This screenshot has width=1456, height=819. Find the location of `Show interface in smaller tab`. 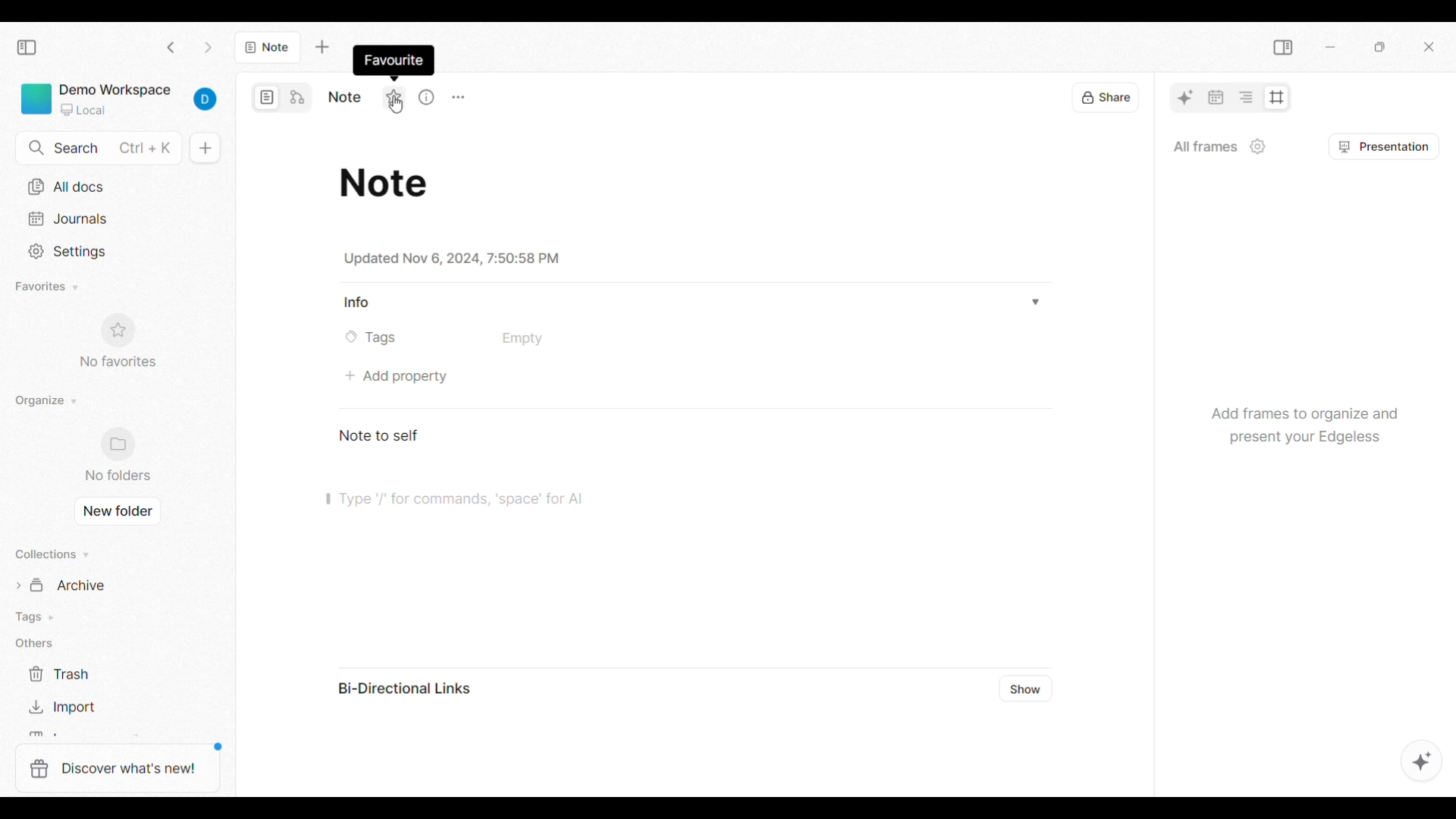

Show interface in smaller tab is located at coordinates (1380, 47).